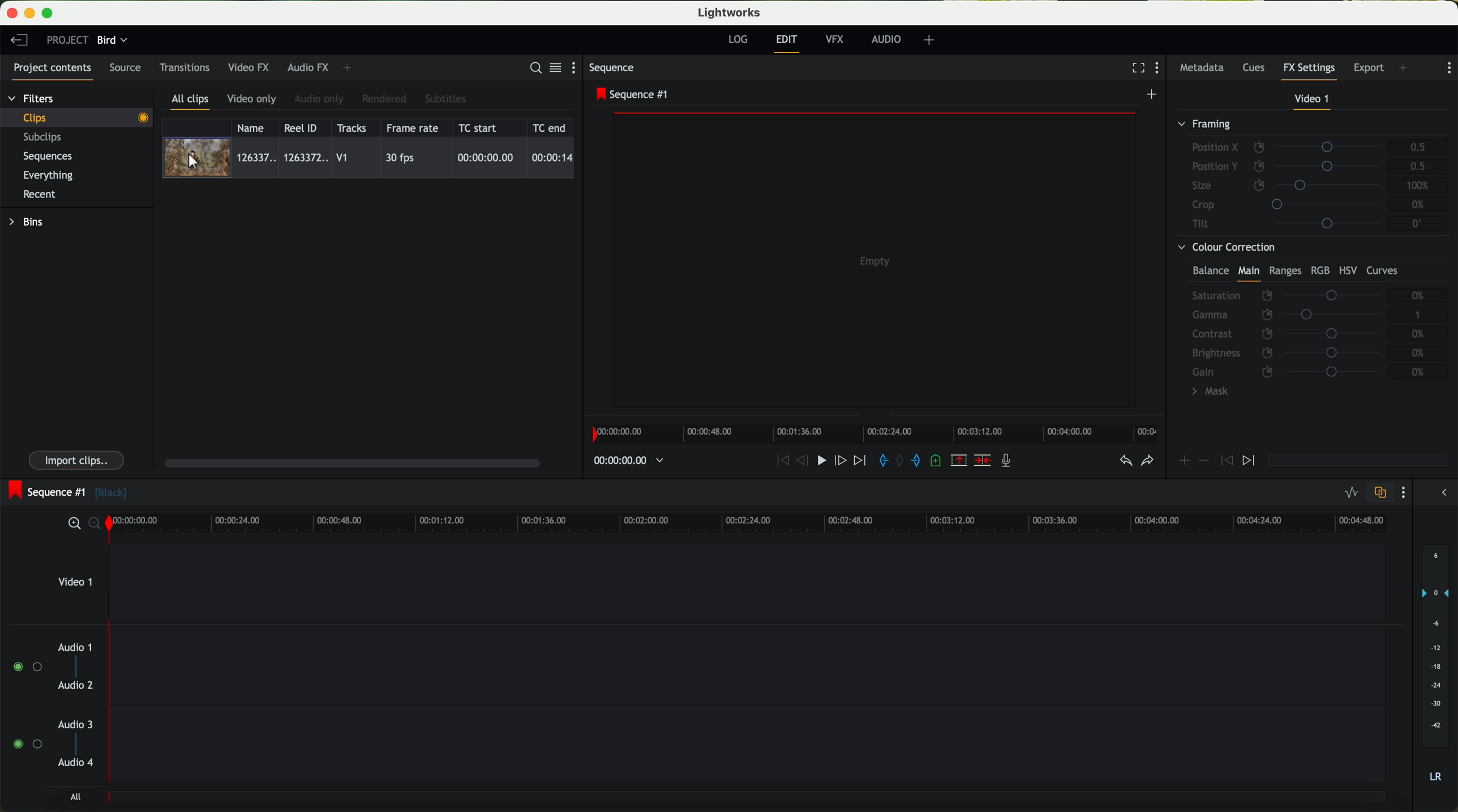 The height and width of the screenshot is (812, 1458). Describe the element at coordinates (70, 724) in the screenshot. I see `audio 3` at that location.